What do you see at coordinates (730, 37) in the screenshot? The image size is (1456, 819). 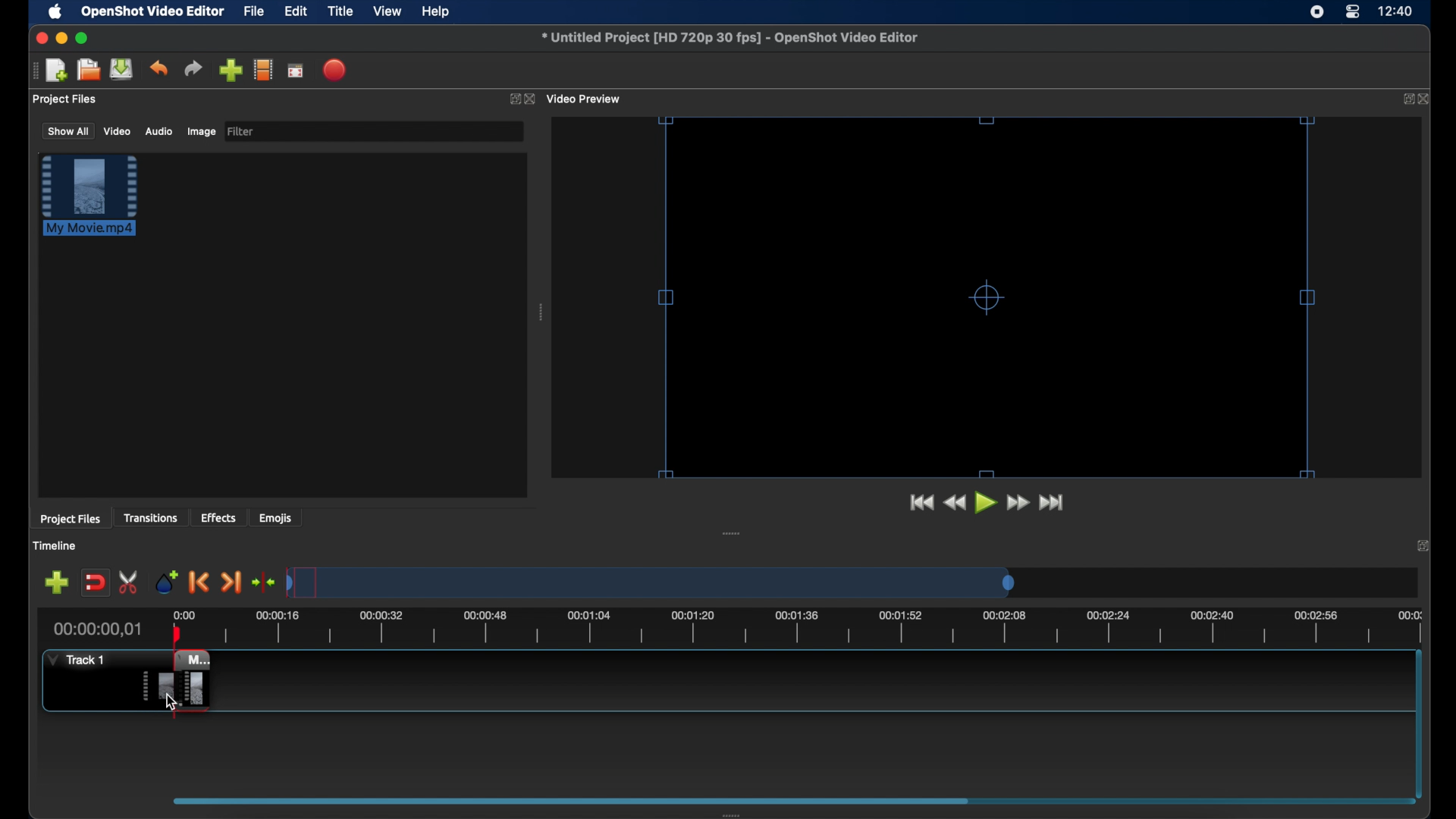 I see `file name` at bounding box center [730, 37].